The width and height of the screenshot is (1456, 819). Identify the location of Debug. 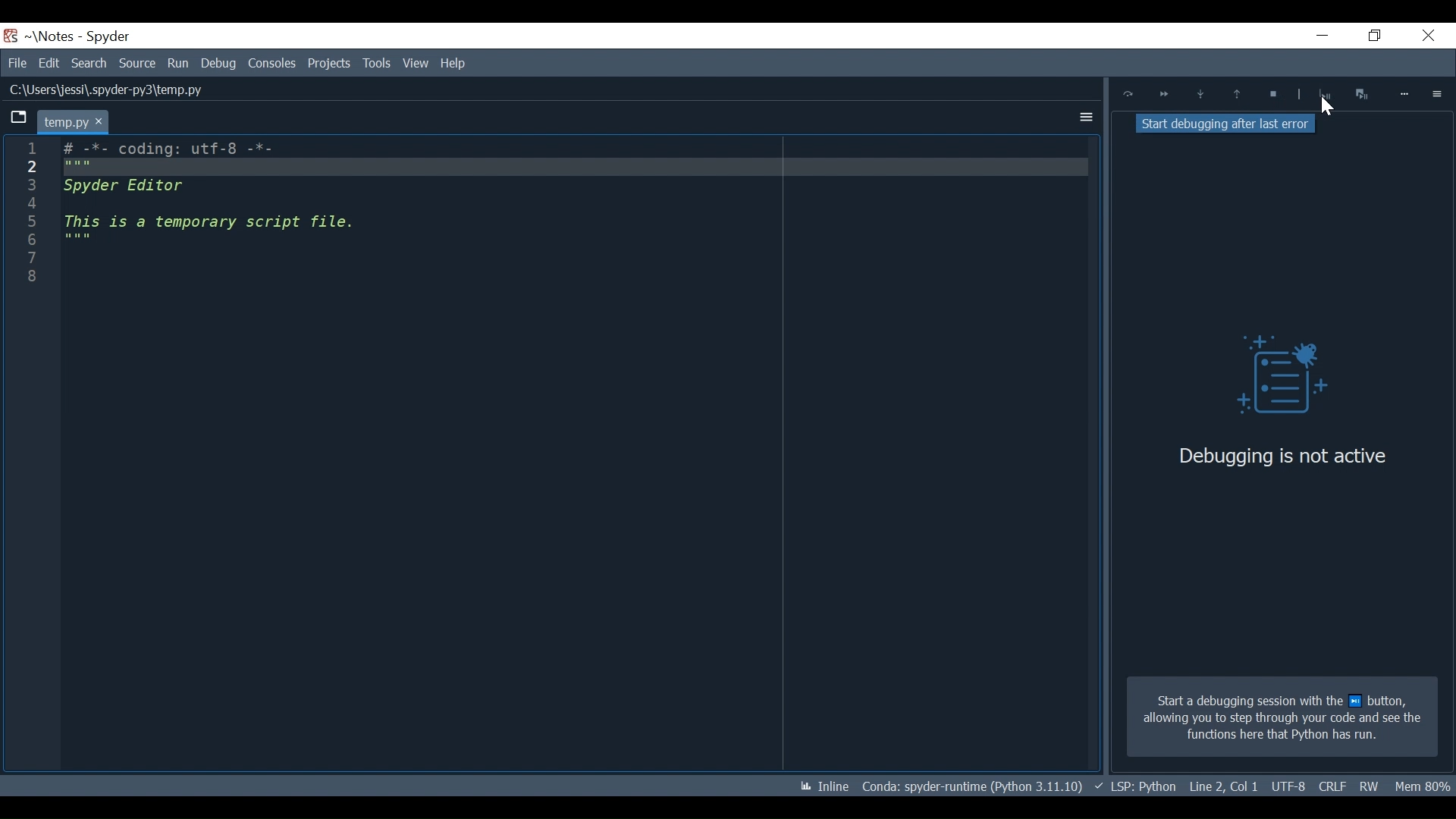
(1270, 378).